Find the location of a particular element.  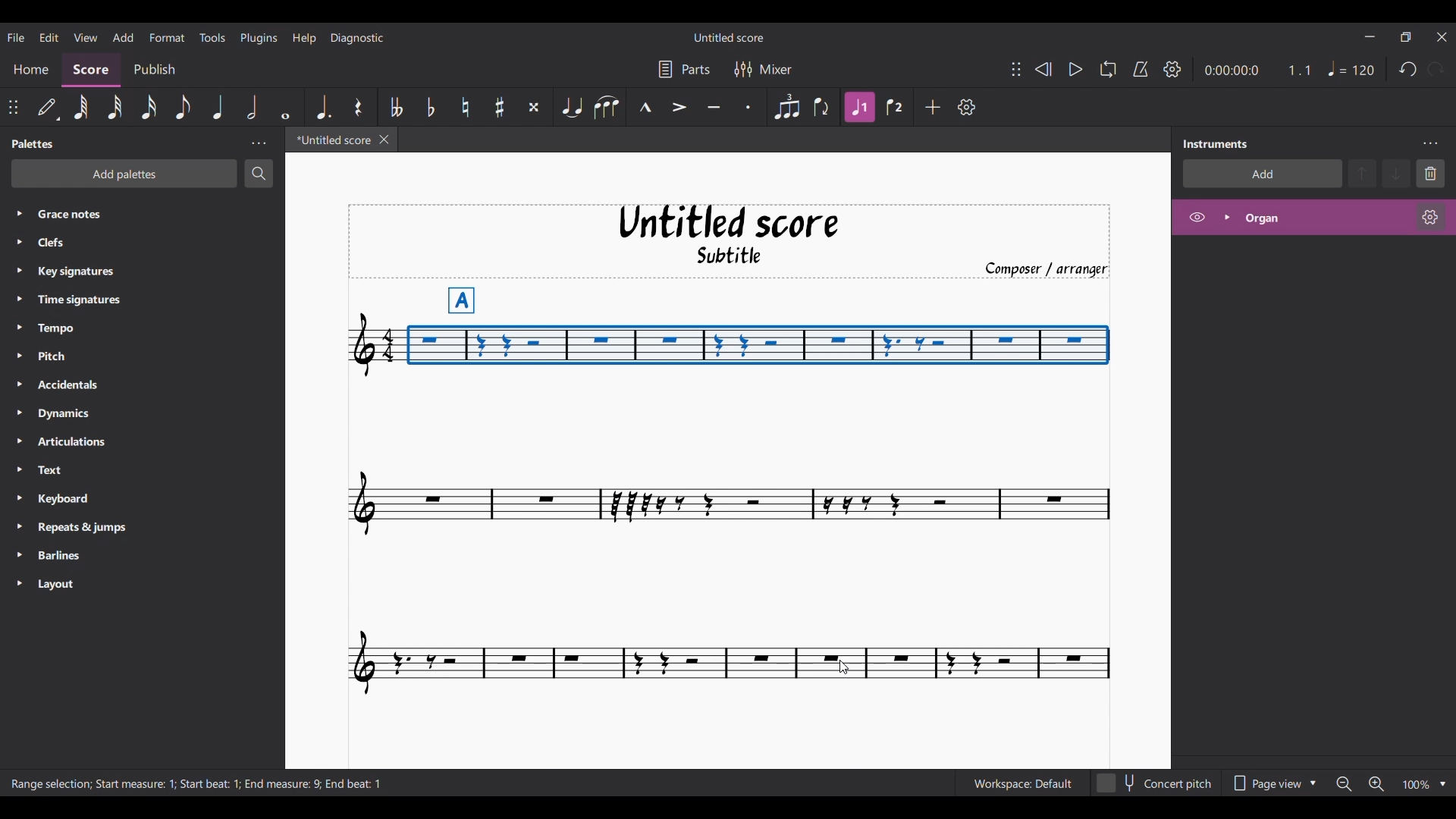

Score name is located at coordinates (728, 37).